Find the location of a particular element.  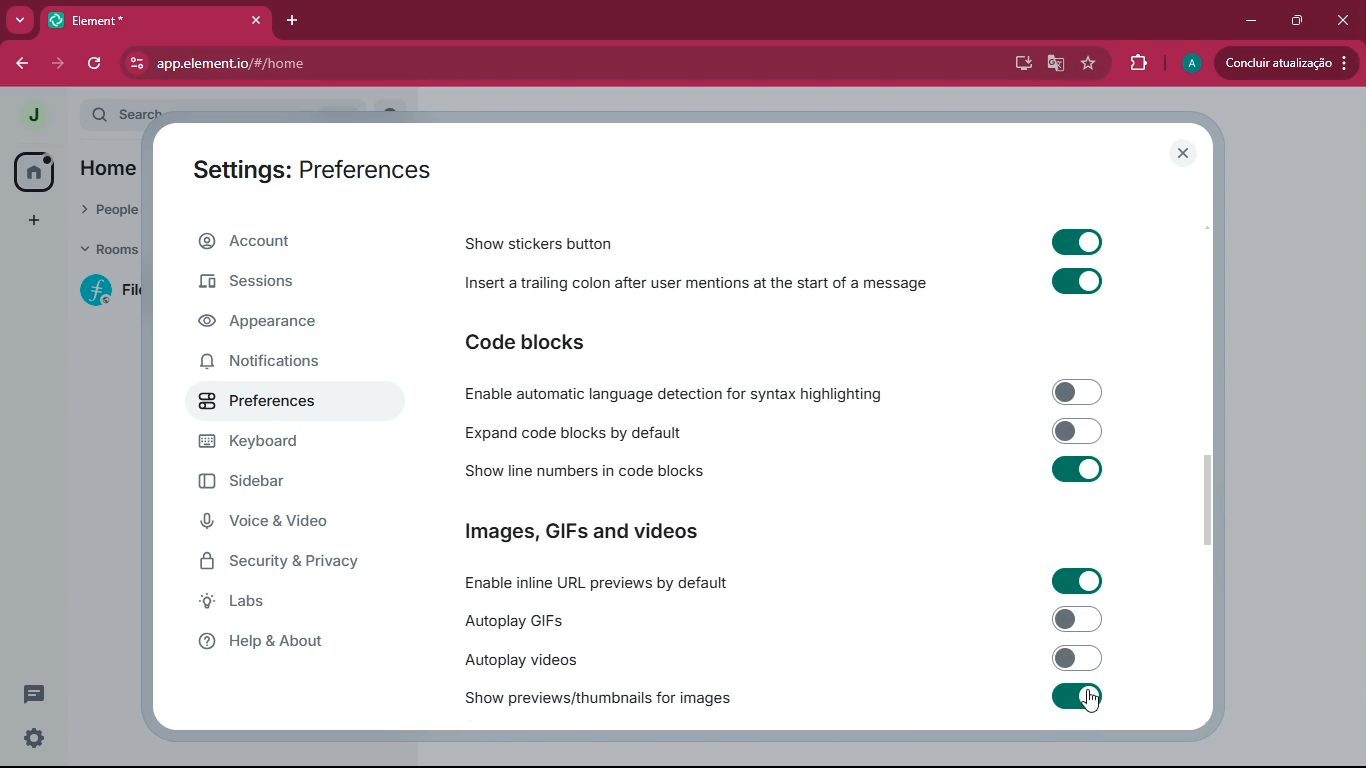

Insert a trailing colon after user mentions at the start of a message is located at coordinates (697, 285).